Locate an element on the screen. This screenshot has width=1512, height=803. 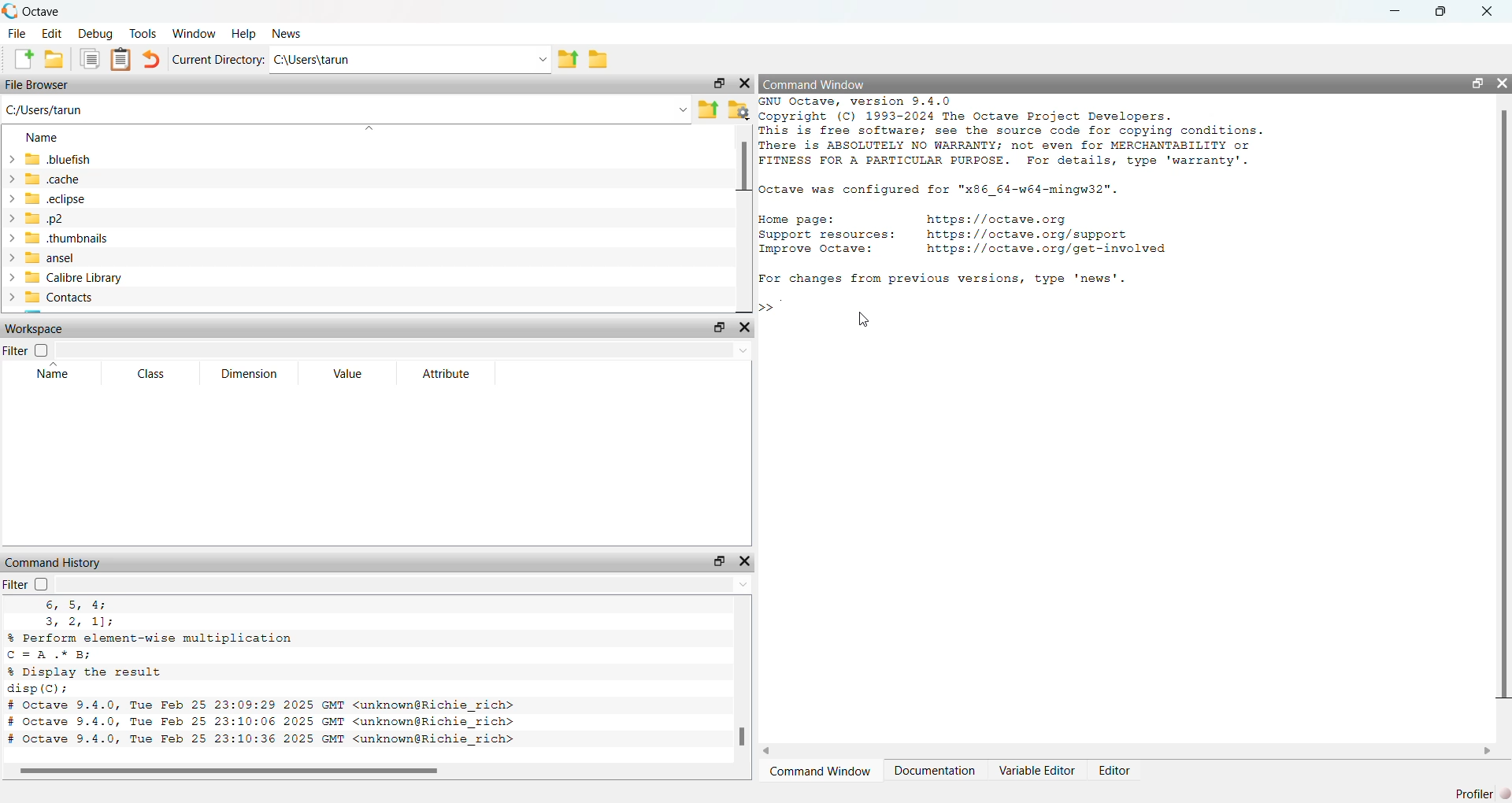
Create New is located at coordinates (23, 58).